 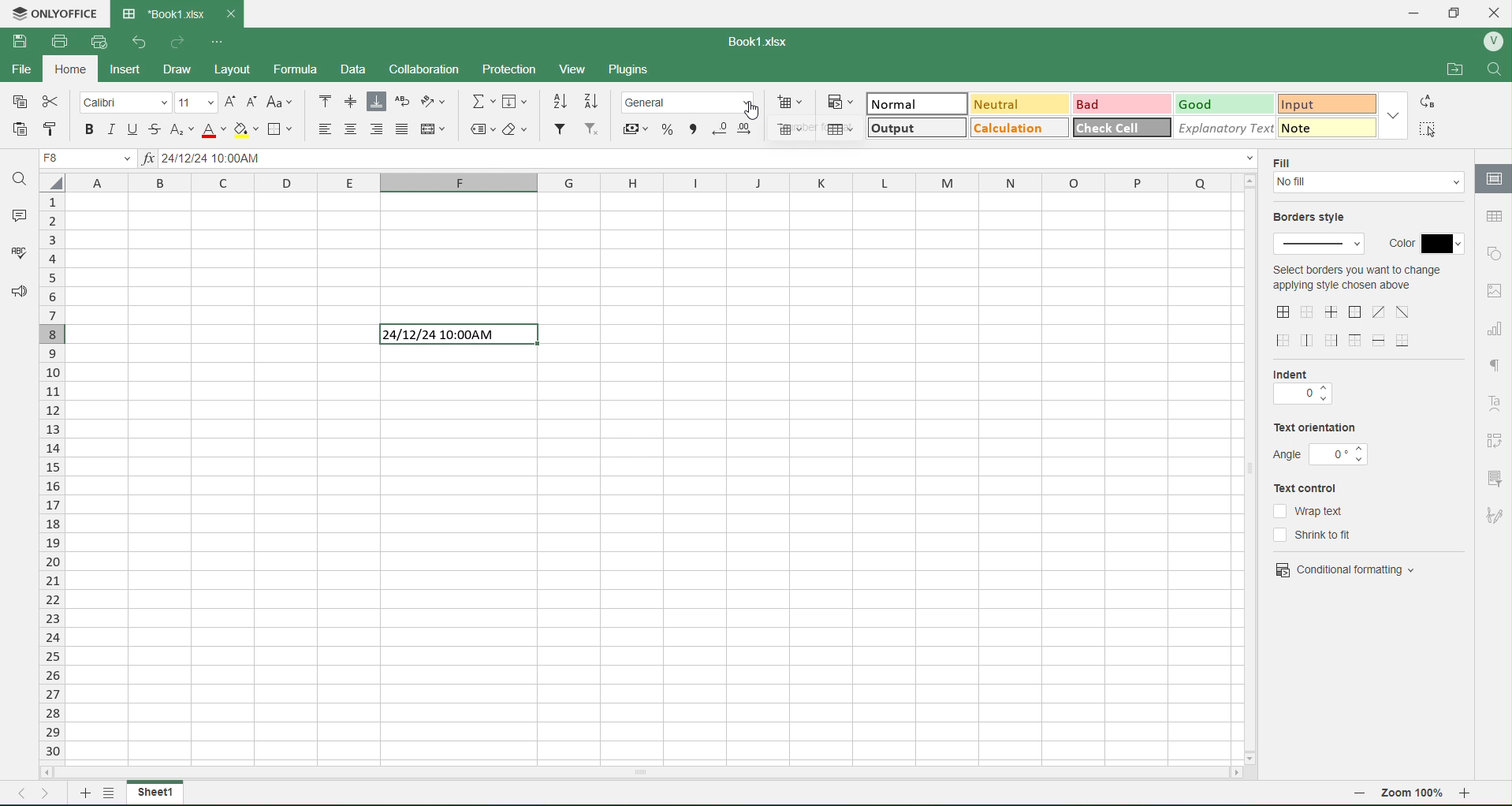 I want to click on Fill Option, so click(x=91, y=160).